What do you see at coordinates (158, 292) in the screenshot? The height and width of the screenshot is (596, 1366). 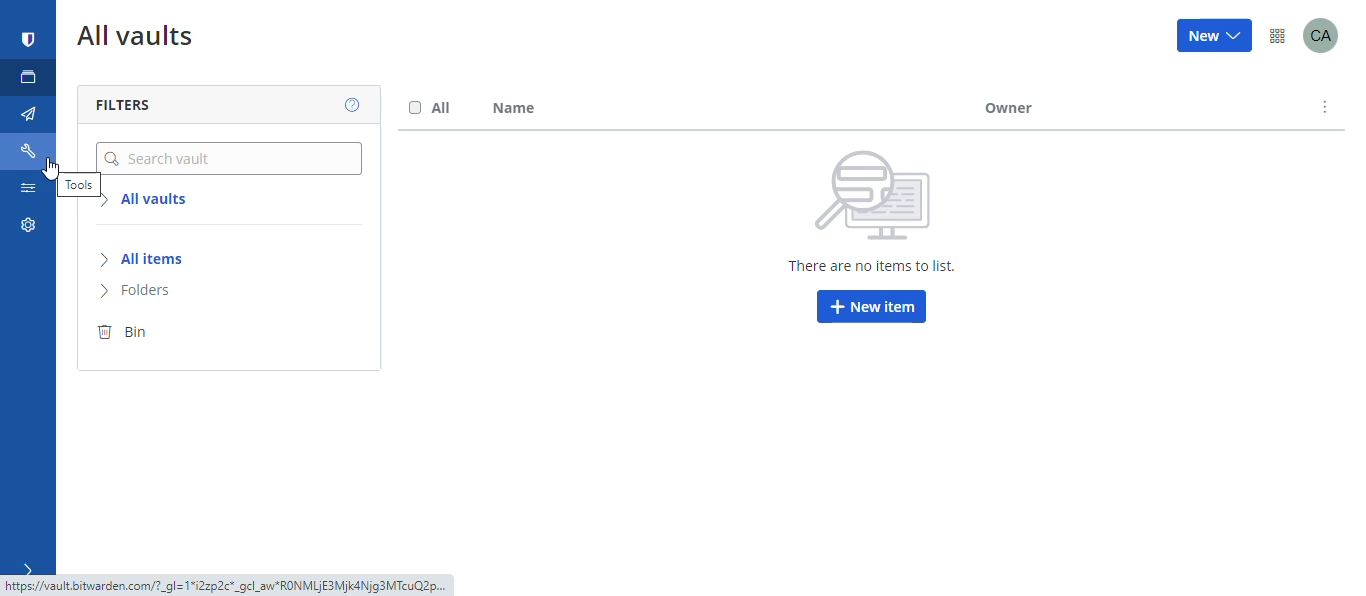 I see `folder` at bounding box center [158, 292].